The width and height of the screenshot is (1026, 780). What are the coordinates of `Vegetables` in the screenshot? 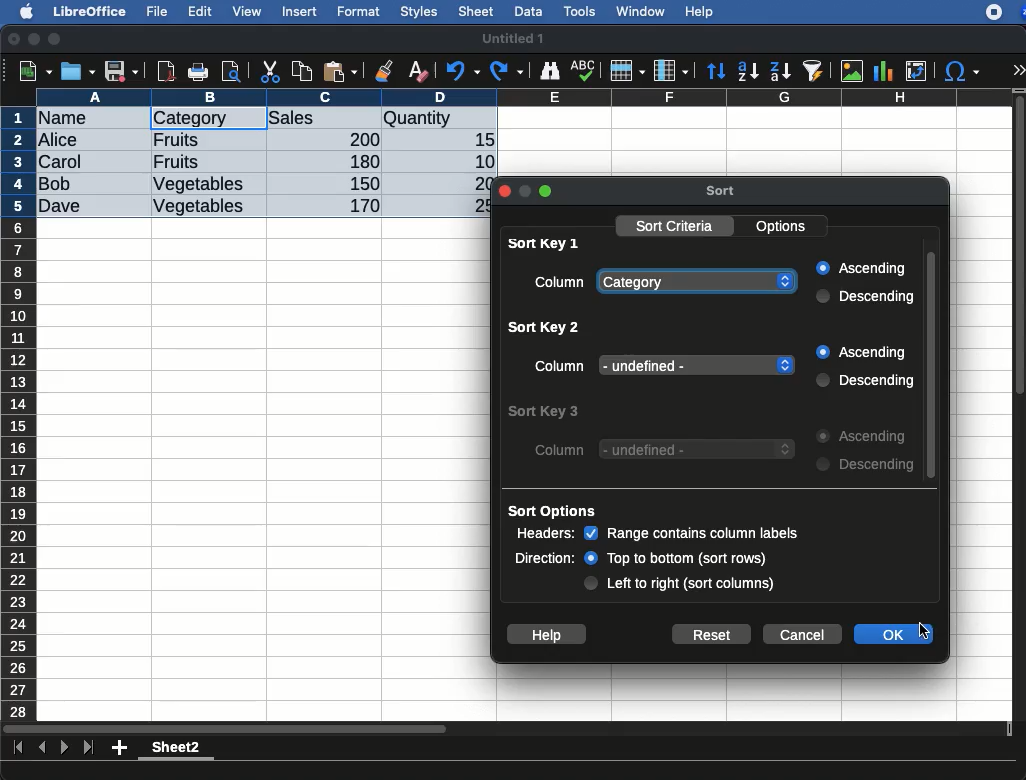 It's located at (198, 207).